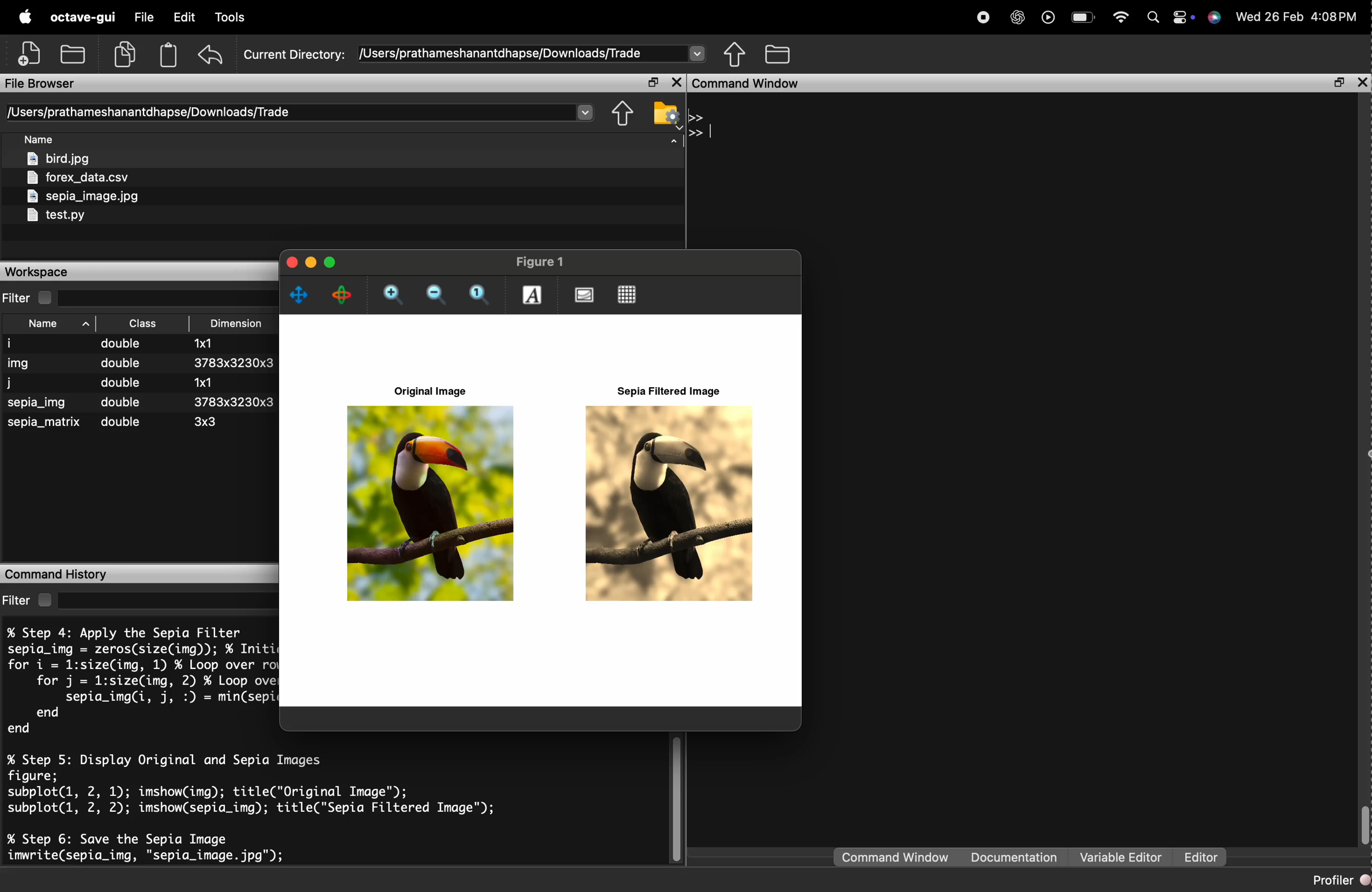 The width and height of the screenshot is (1372, 892). I want to click on Command History, so click(57, 574).